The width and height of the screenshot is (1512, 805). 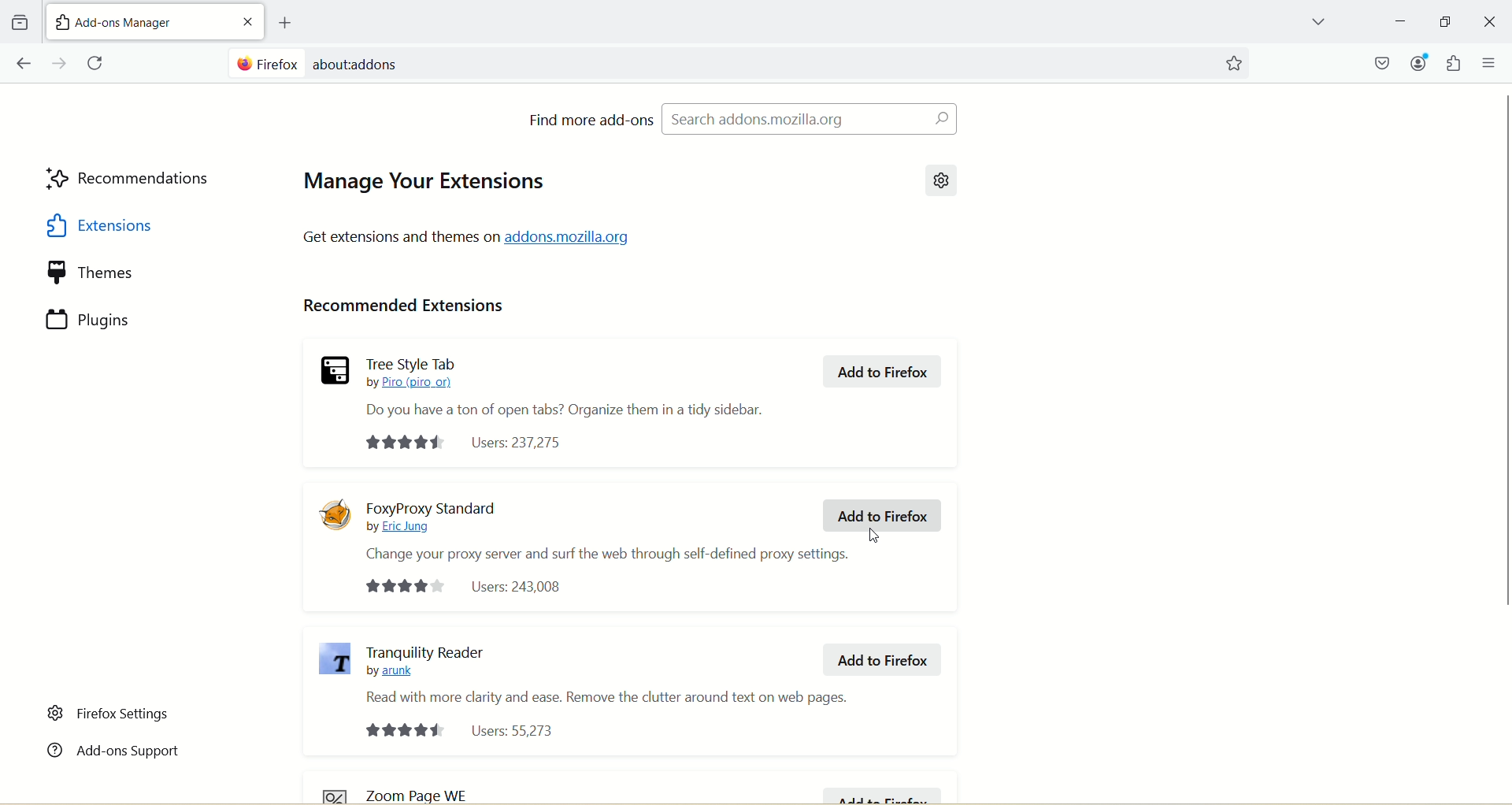 What do you see at coordinates (884, 660) in the screenshot?
I see `Add to Firefox` at bounding box center [884, 660].